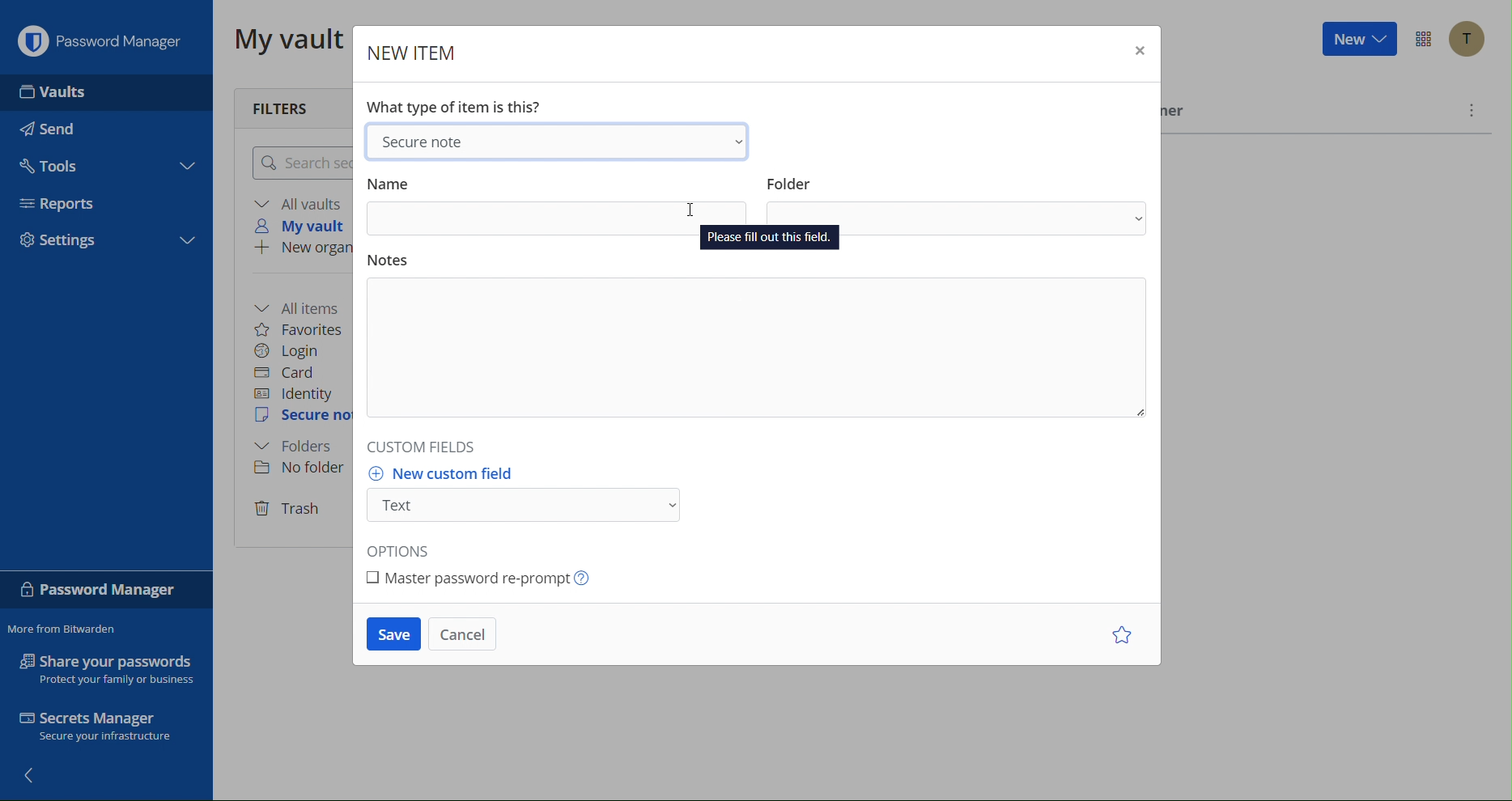 The width and height of the screenshot is (1512, 801). Describe the element at coordinates (557, 208) in the screenshot. I see `Name` at that location.